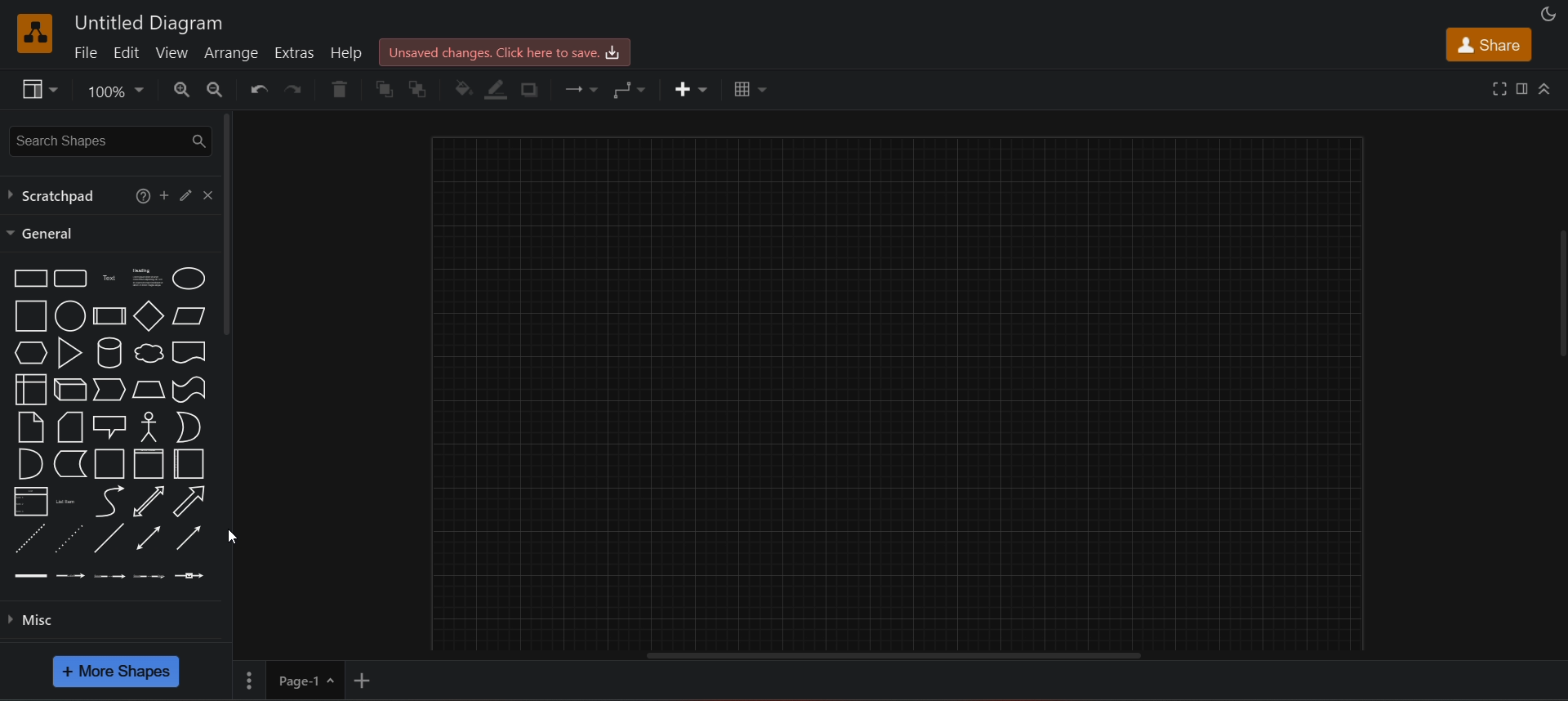  Describe the element at coordinates (70, 428) in the screenshot. I see `card` at that location.